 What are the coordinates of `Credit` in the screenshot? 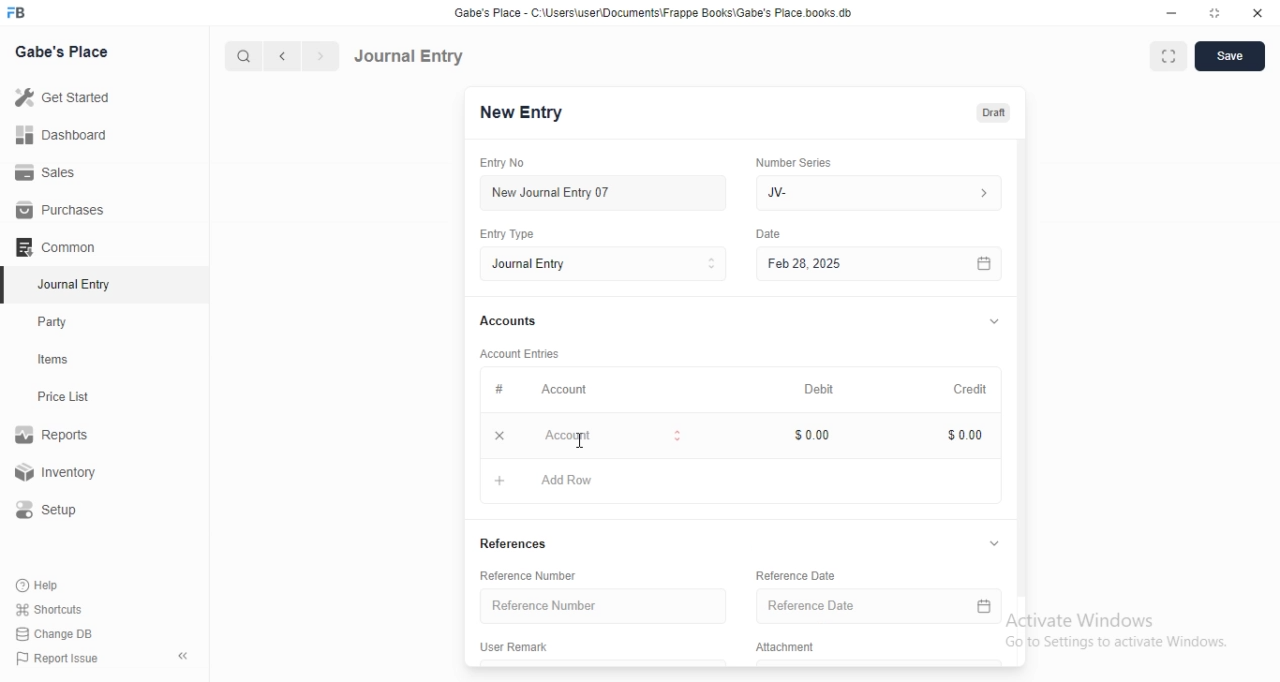 It's located at (969, 387).